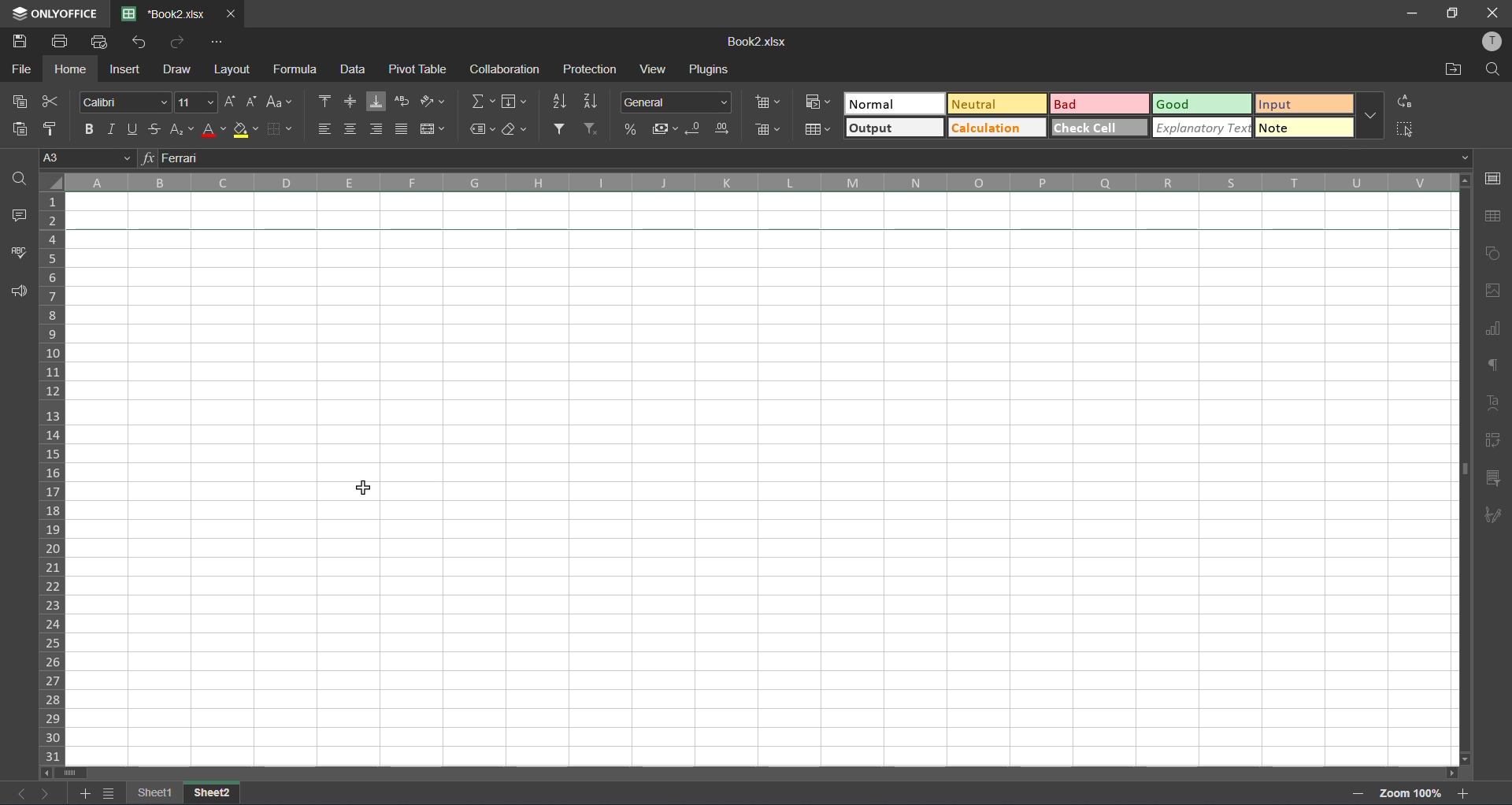 The width and height of the screenshot is (1512, 805). I want to click on paste, so click(18, 128).